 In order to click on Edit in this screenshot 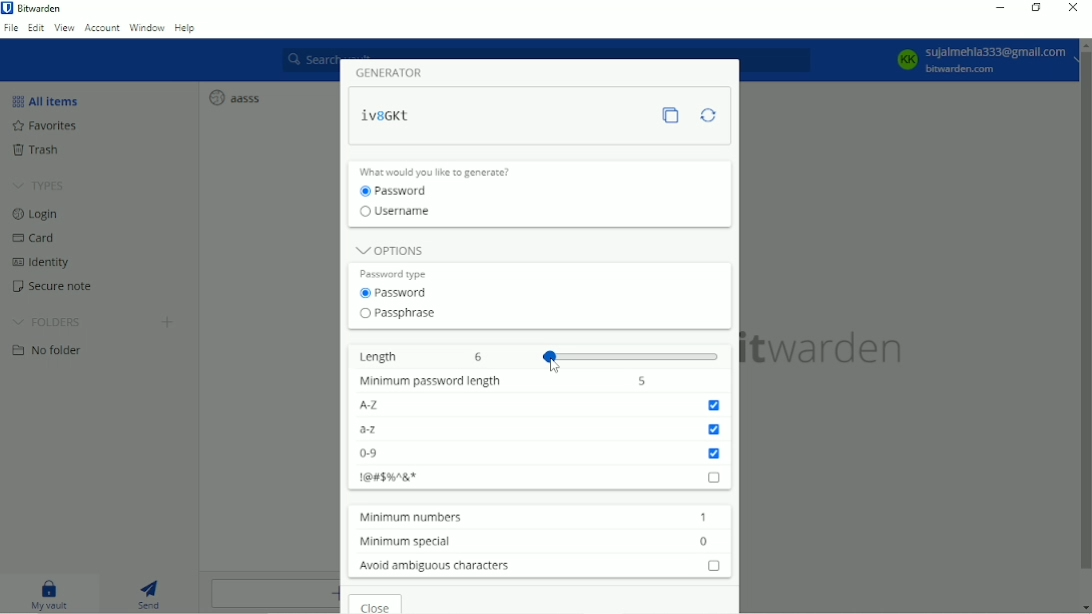, I will do `click(36, 29)`.